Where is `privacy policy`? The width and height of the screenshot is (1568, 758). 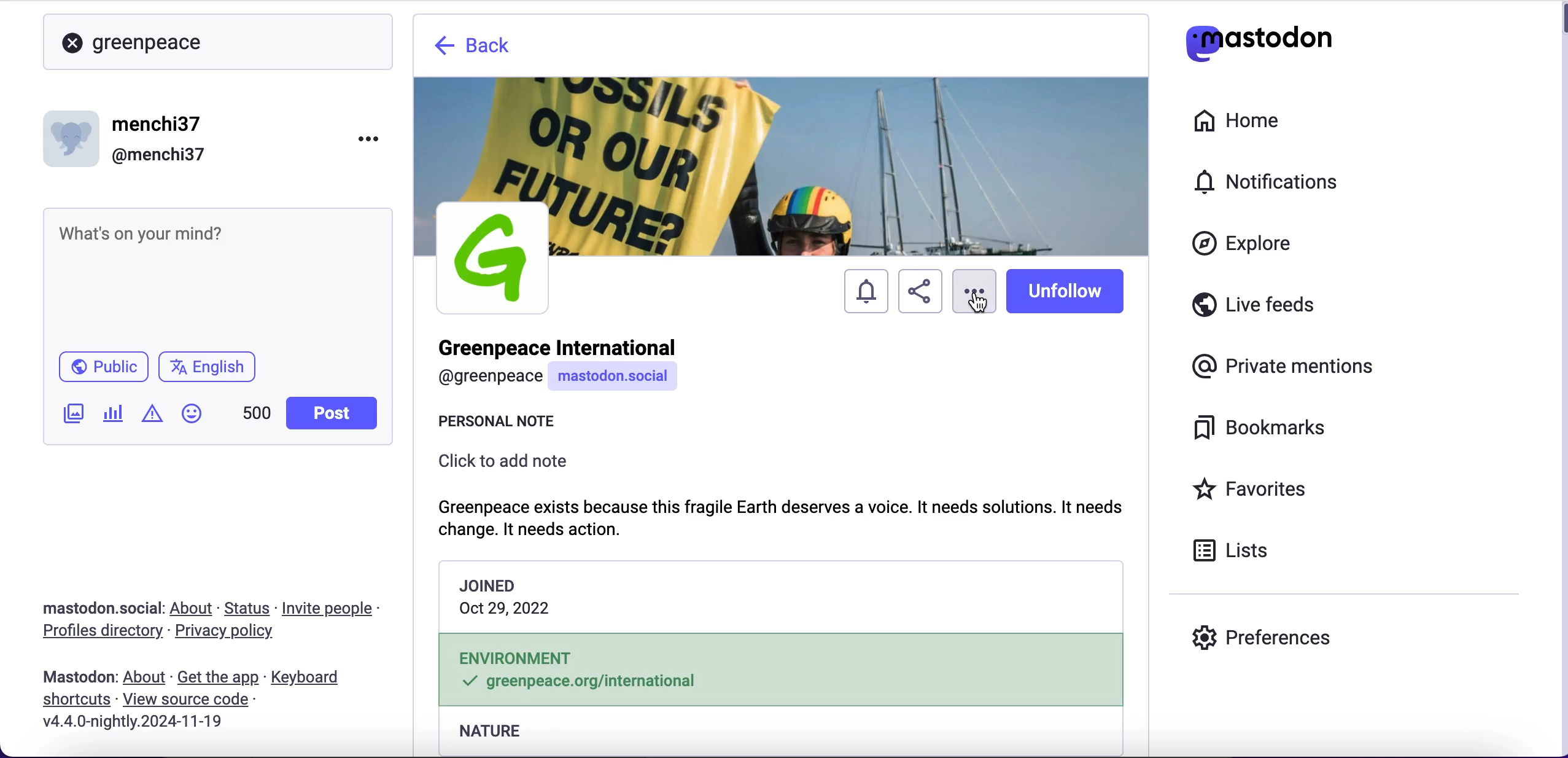
privacy policy is located at coordinates (235, 633).